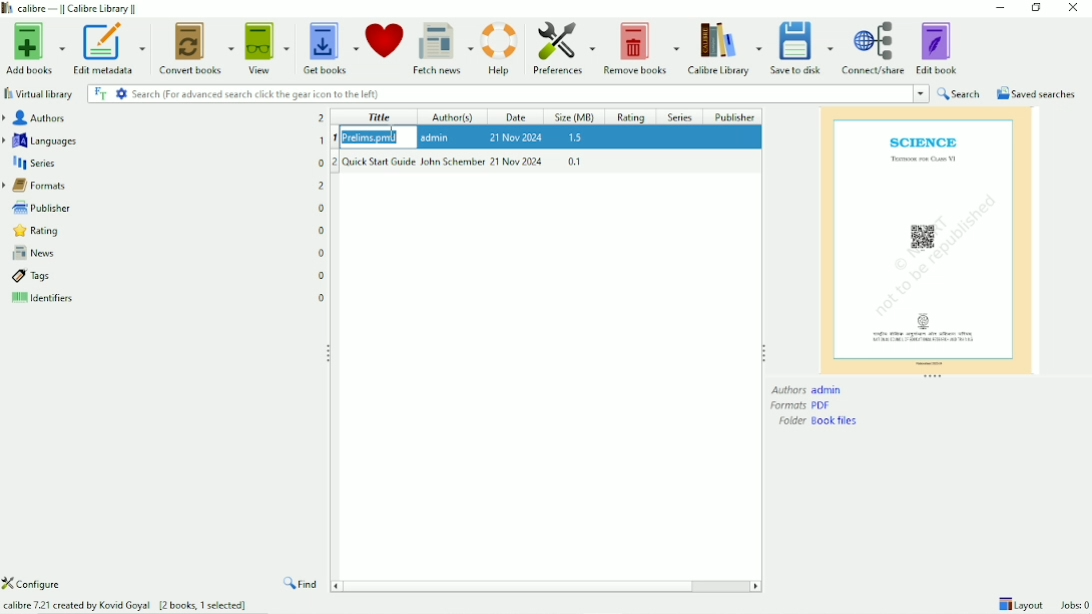 This screenshot has width=1092, height=614. Describe the element at coordinates (1020, 603) in the screenshot. I see `Layout` at that location.